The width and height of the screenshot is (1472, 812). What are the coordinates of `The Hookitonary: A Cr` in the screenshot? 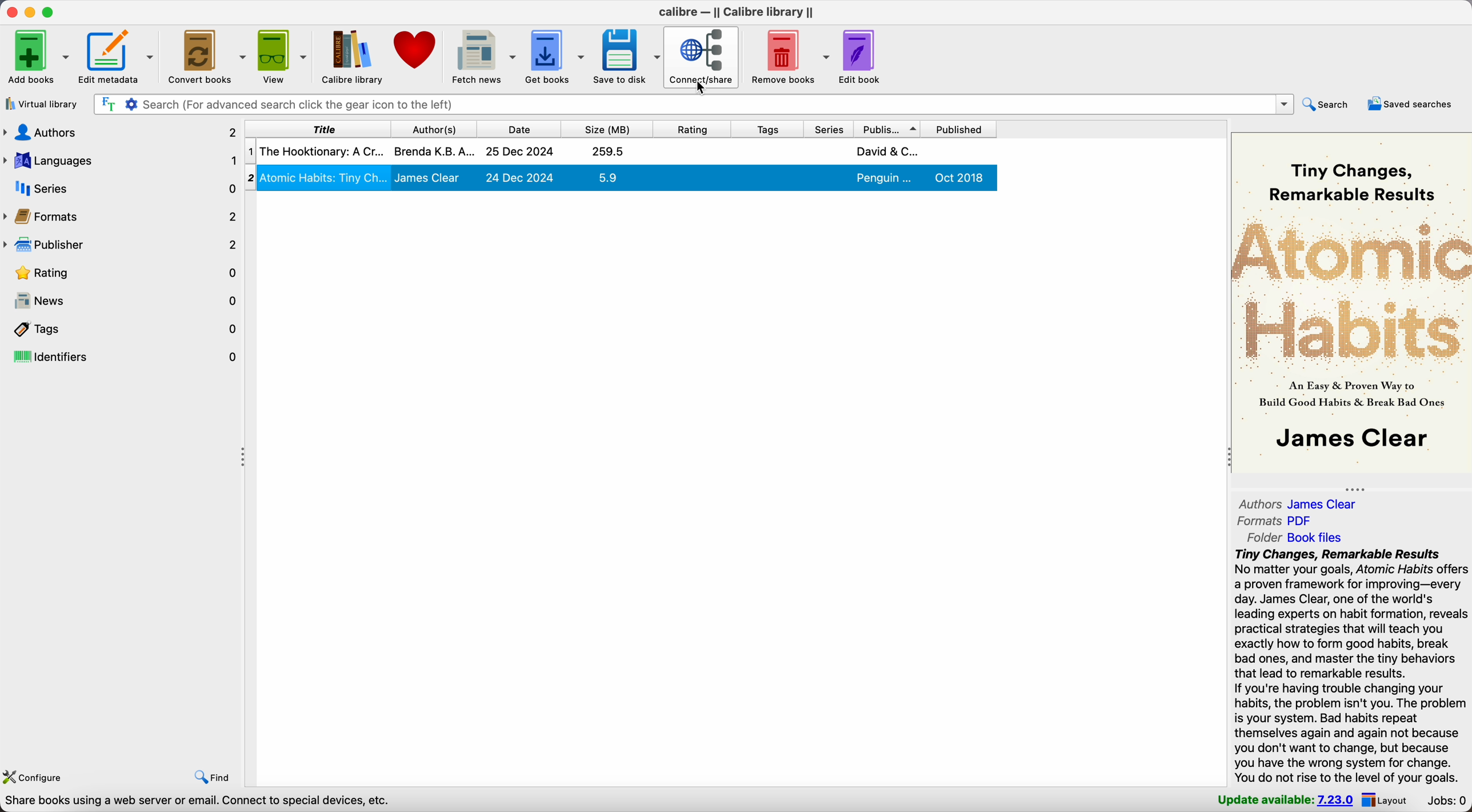 It's located at (321, 151).